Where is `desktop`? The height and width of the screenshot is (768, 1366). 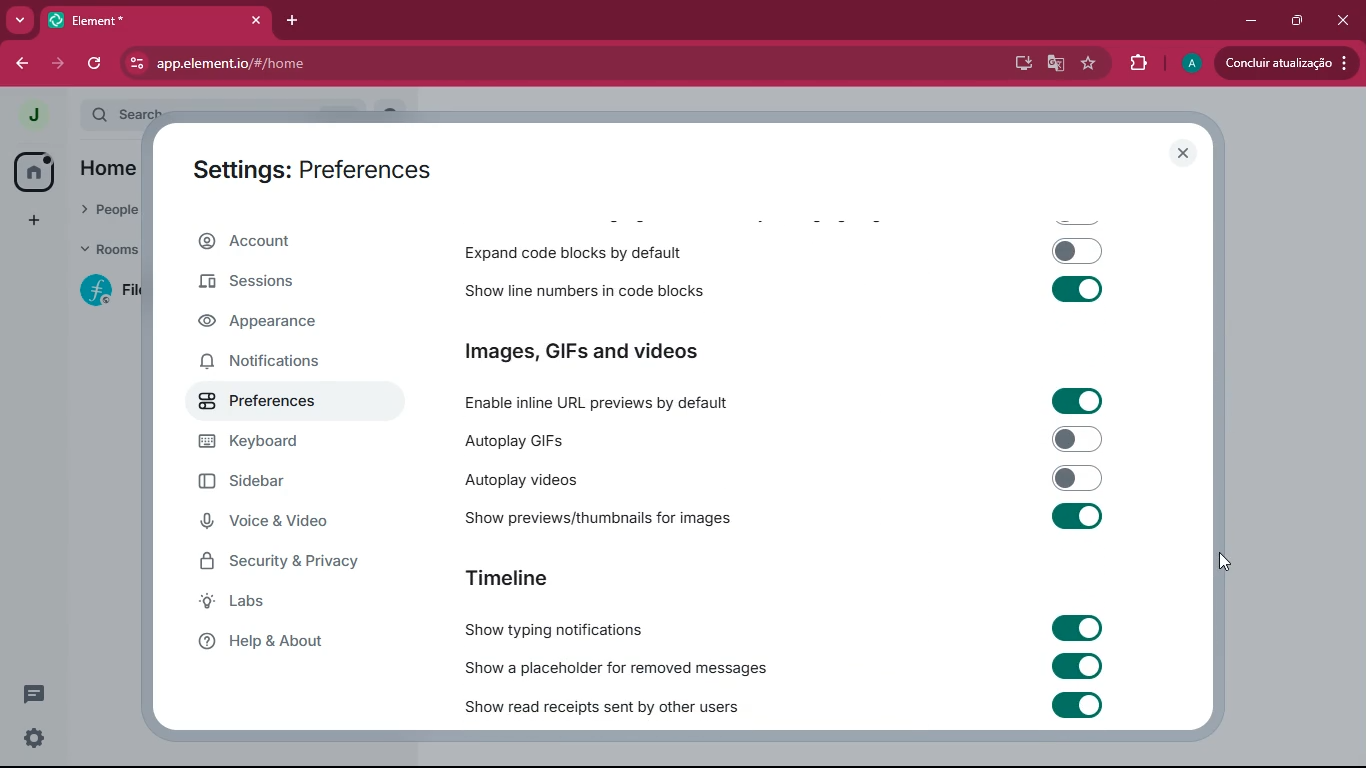 desktop is located at coordinates (1019, 64).